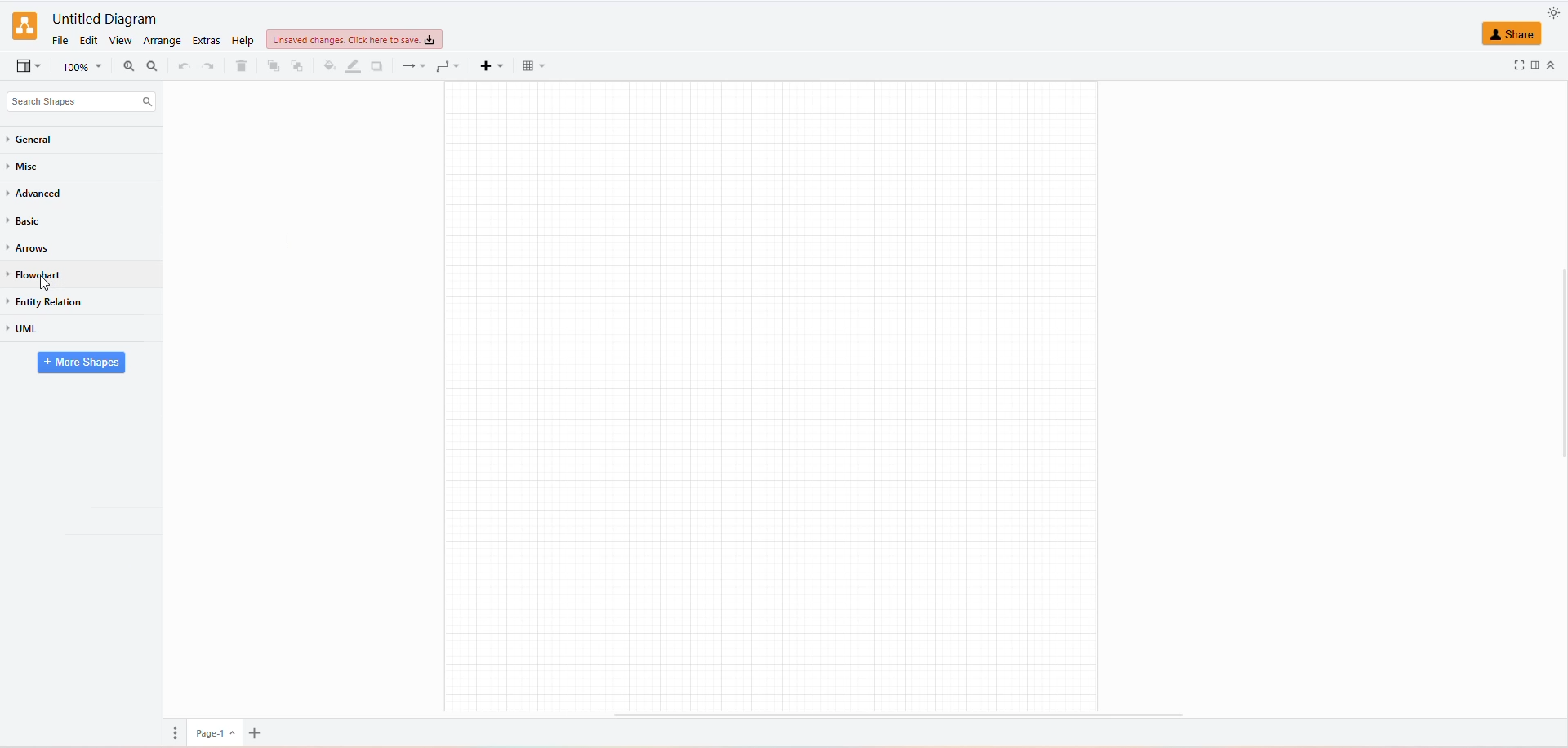  I want to click on TO BACK, so click(296, 66).